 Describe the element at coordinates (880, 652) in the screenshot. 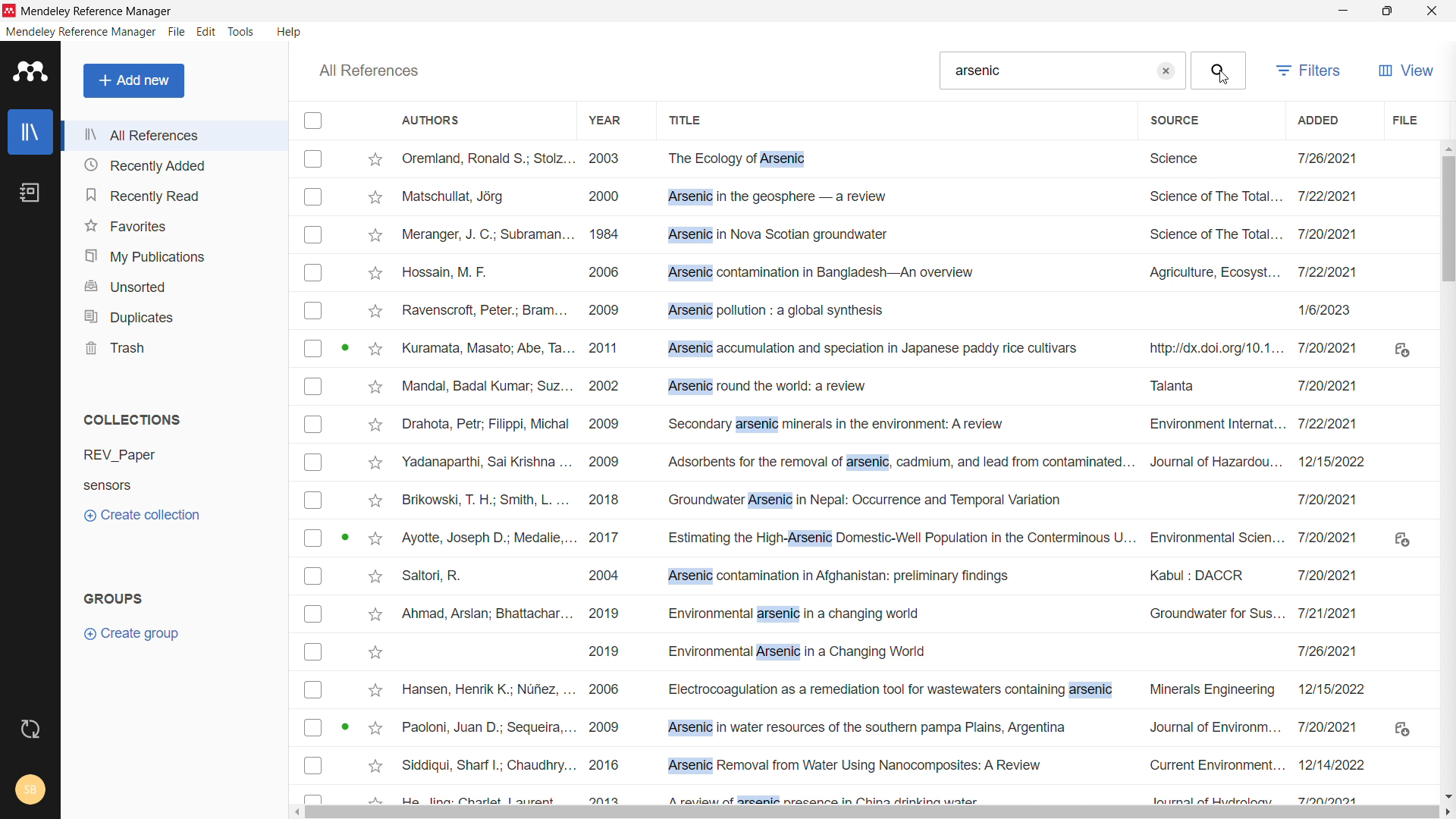

I see `2019 Environmental Arsenic in a Changing World 7126/2021` at that location.